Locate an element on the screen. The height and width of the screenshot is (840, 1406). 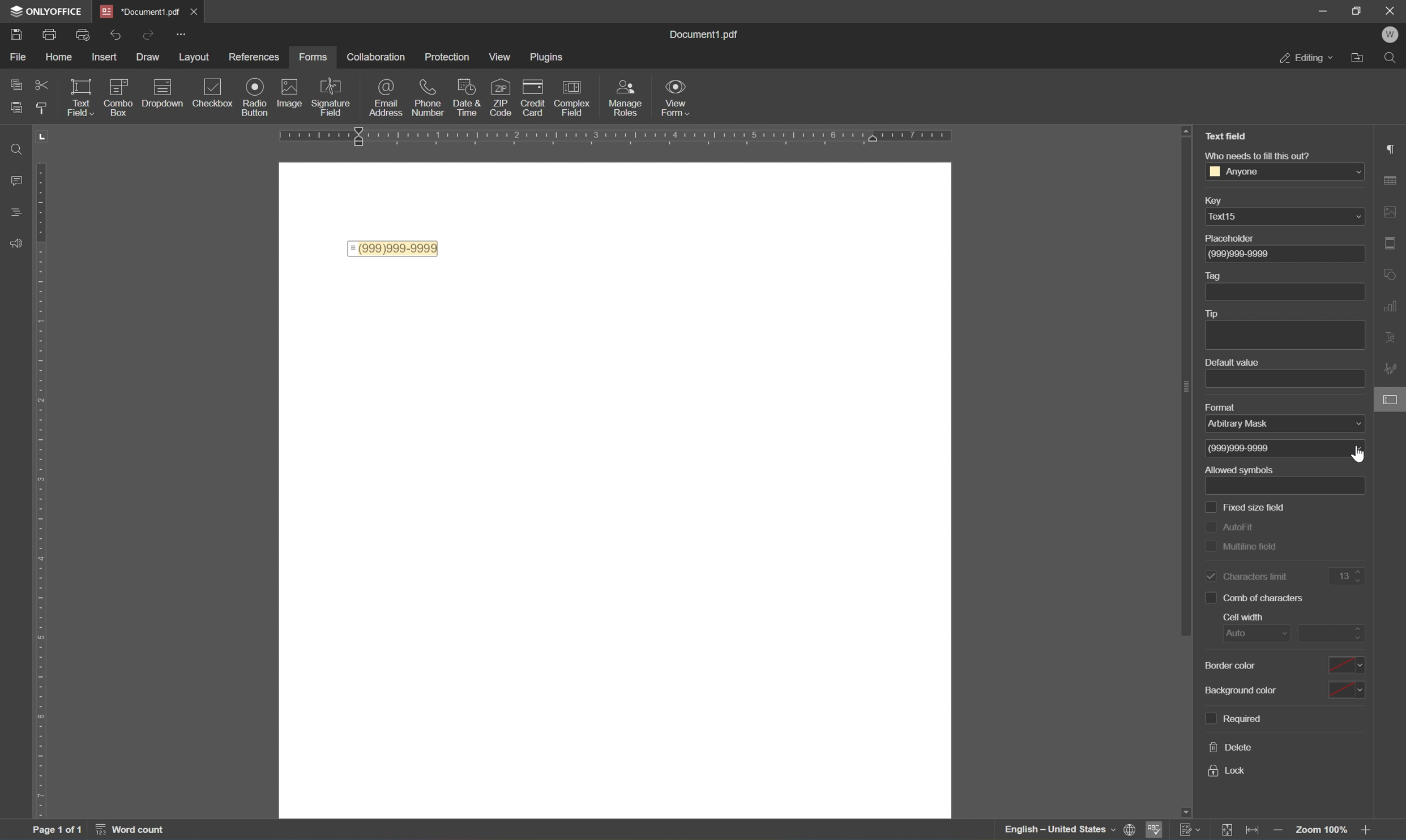
restore down is located at coordinates (1357, 9).